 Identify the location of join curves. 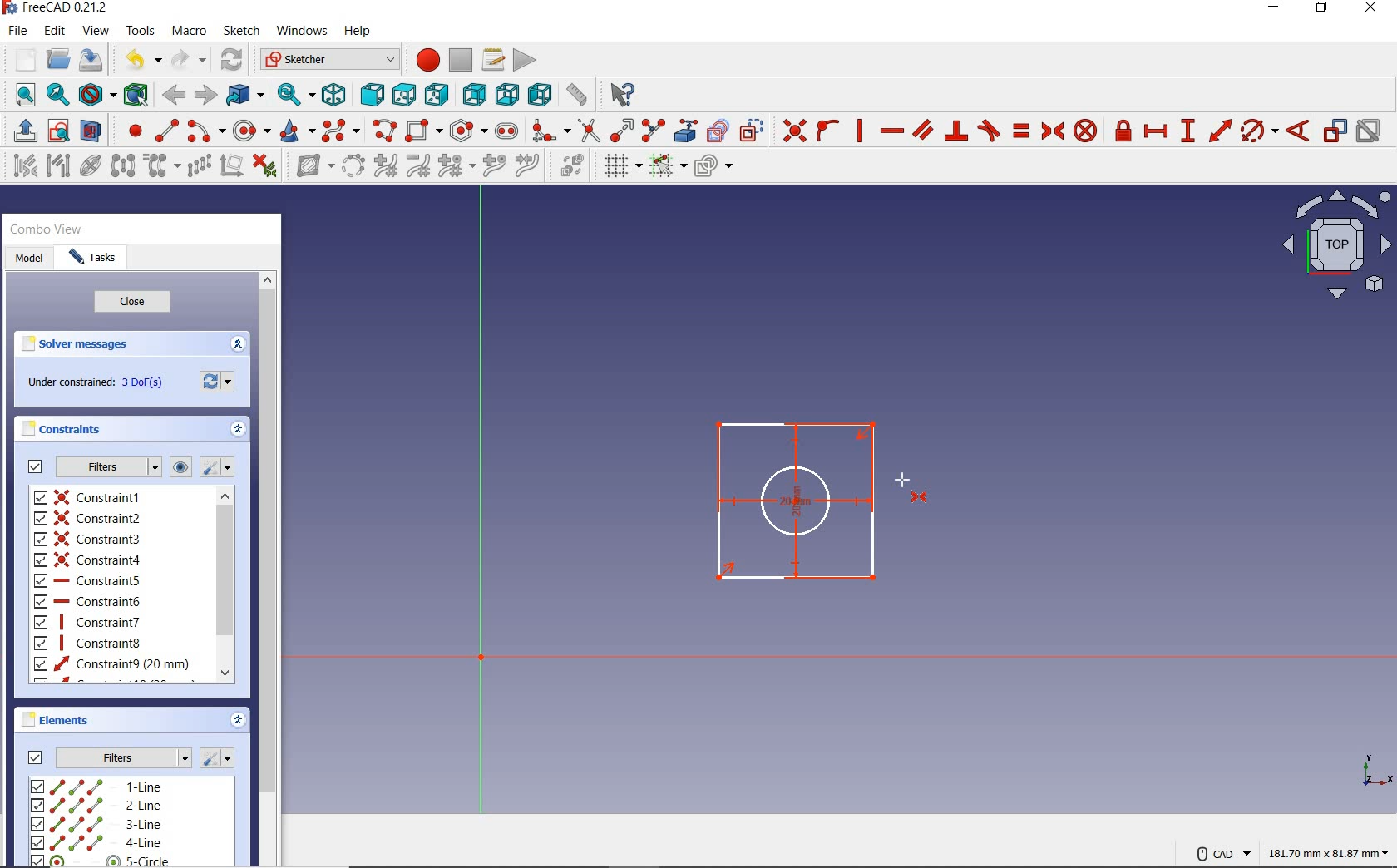
(528, 165).